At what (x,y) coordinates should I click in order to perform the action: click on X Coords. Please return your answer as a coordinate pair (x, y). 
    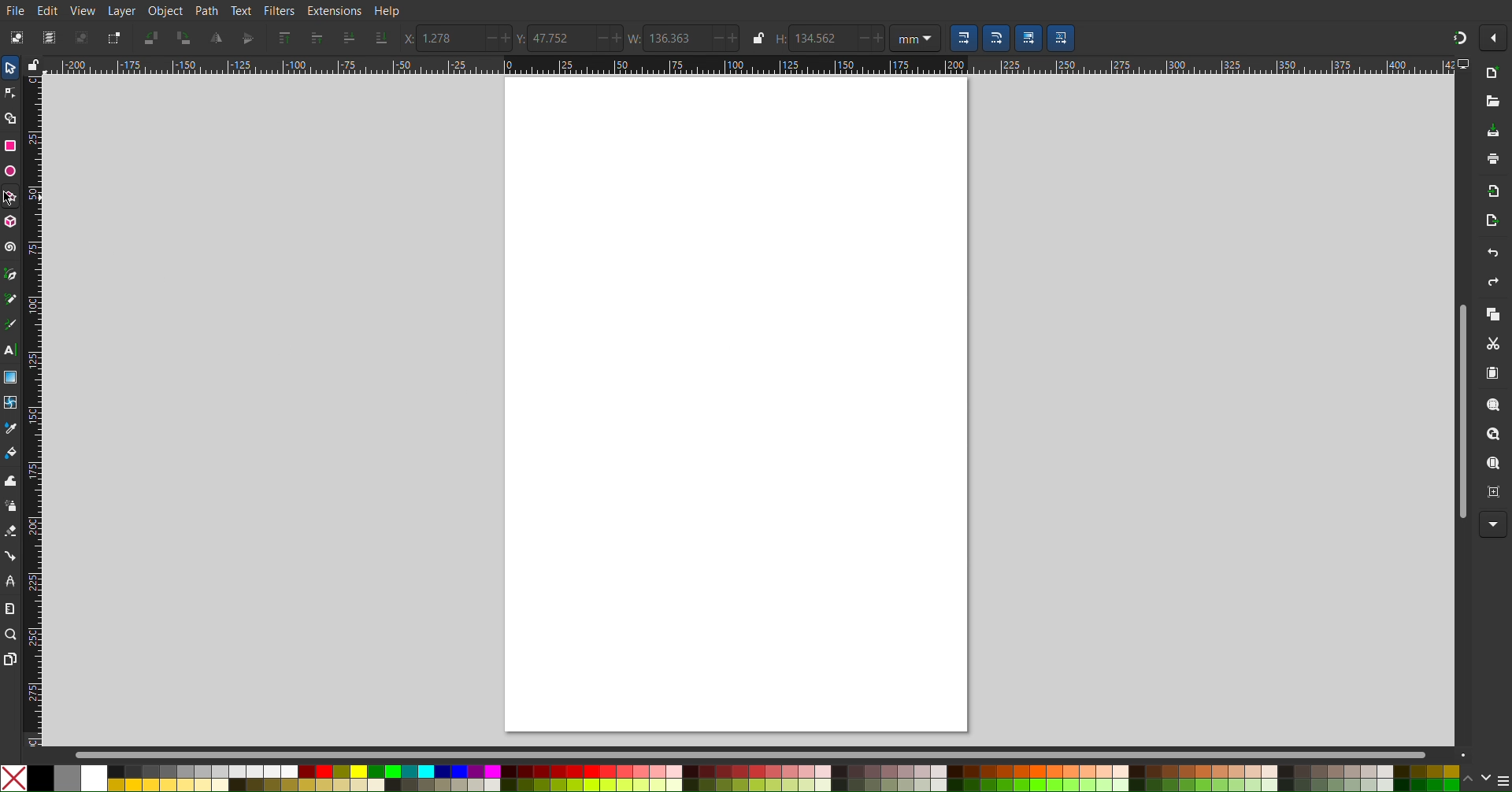
    Looking at the image, I should click on (407, 38).